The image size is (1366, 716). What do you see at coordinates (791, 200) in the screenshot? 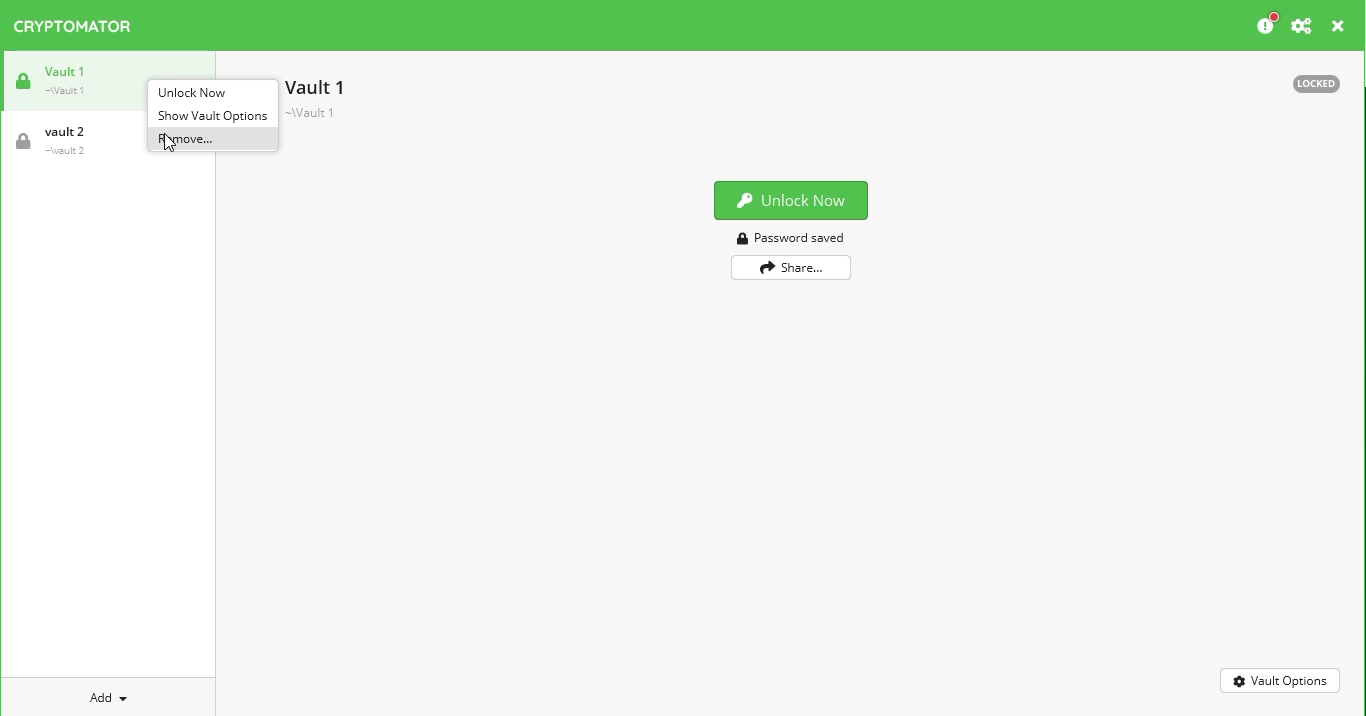
I see `unlock now` at bounding box center [791, 200].